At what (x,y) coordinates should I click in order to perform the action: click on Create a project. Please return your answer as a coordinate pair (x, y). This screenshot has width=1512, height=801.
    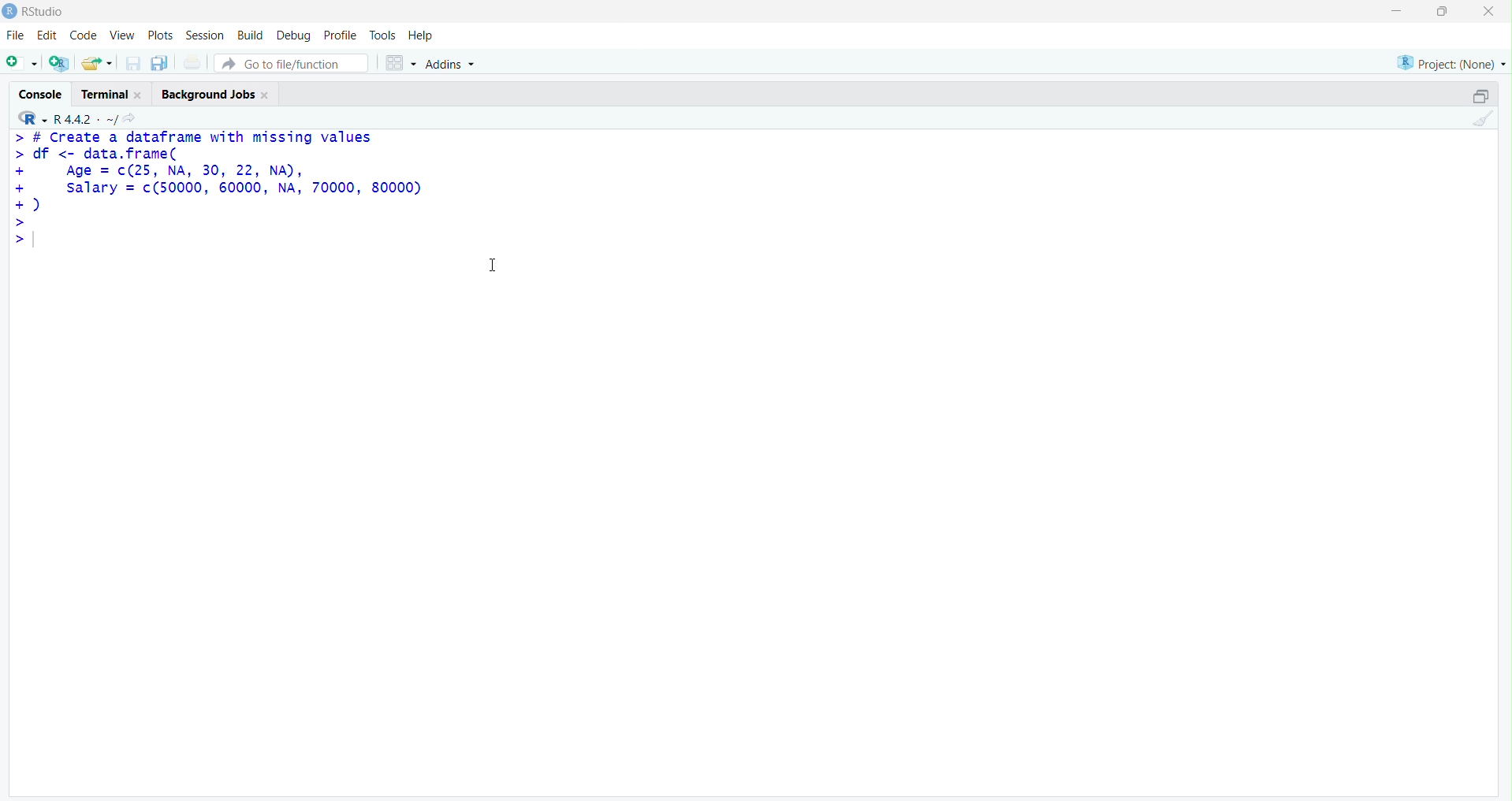
    Looking at the image, I should click on (60, 61).